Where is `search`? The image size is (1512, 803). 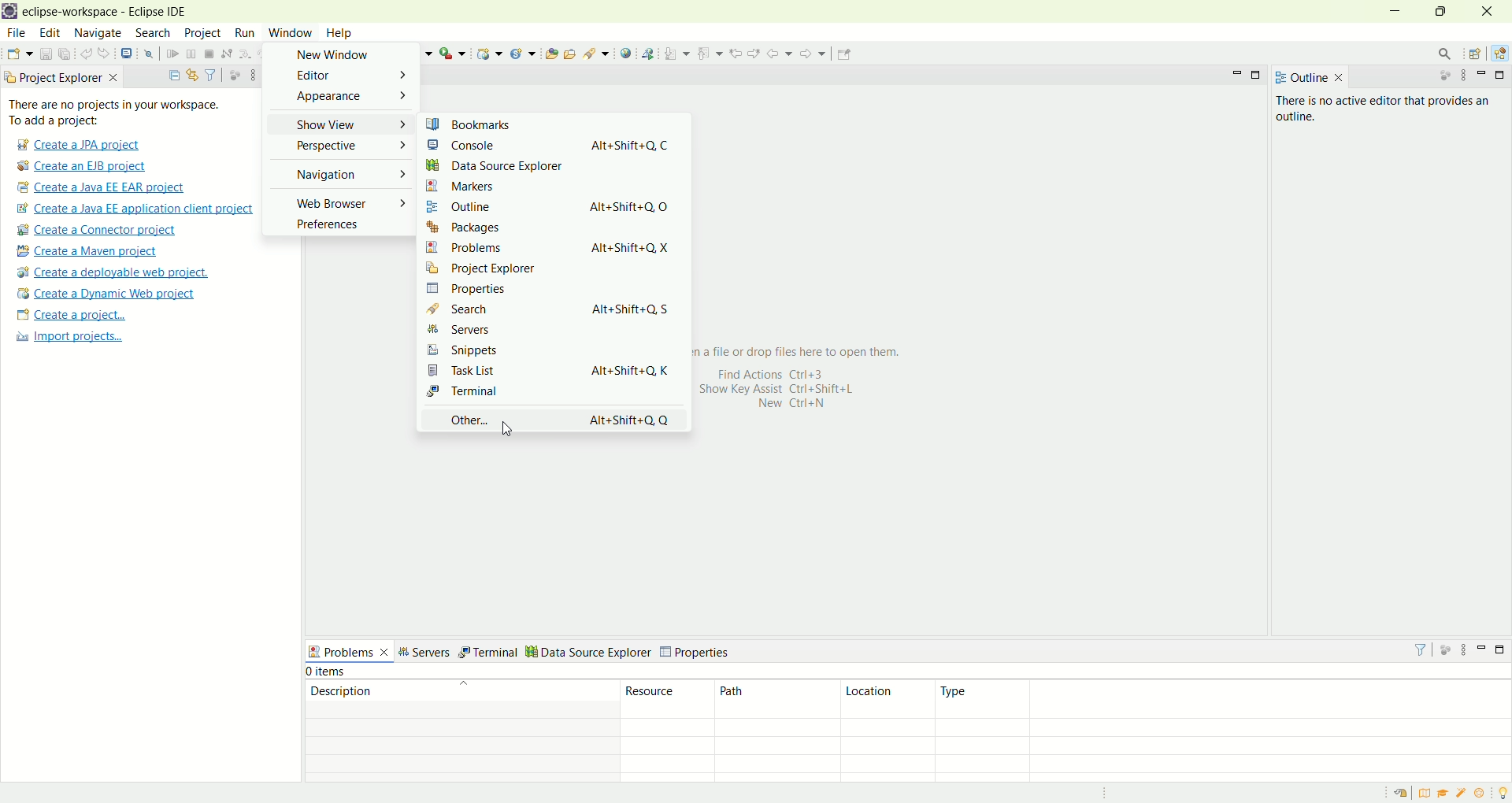
search is located at coordinates (1447, 52).